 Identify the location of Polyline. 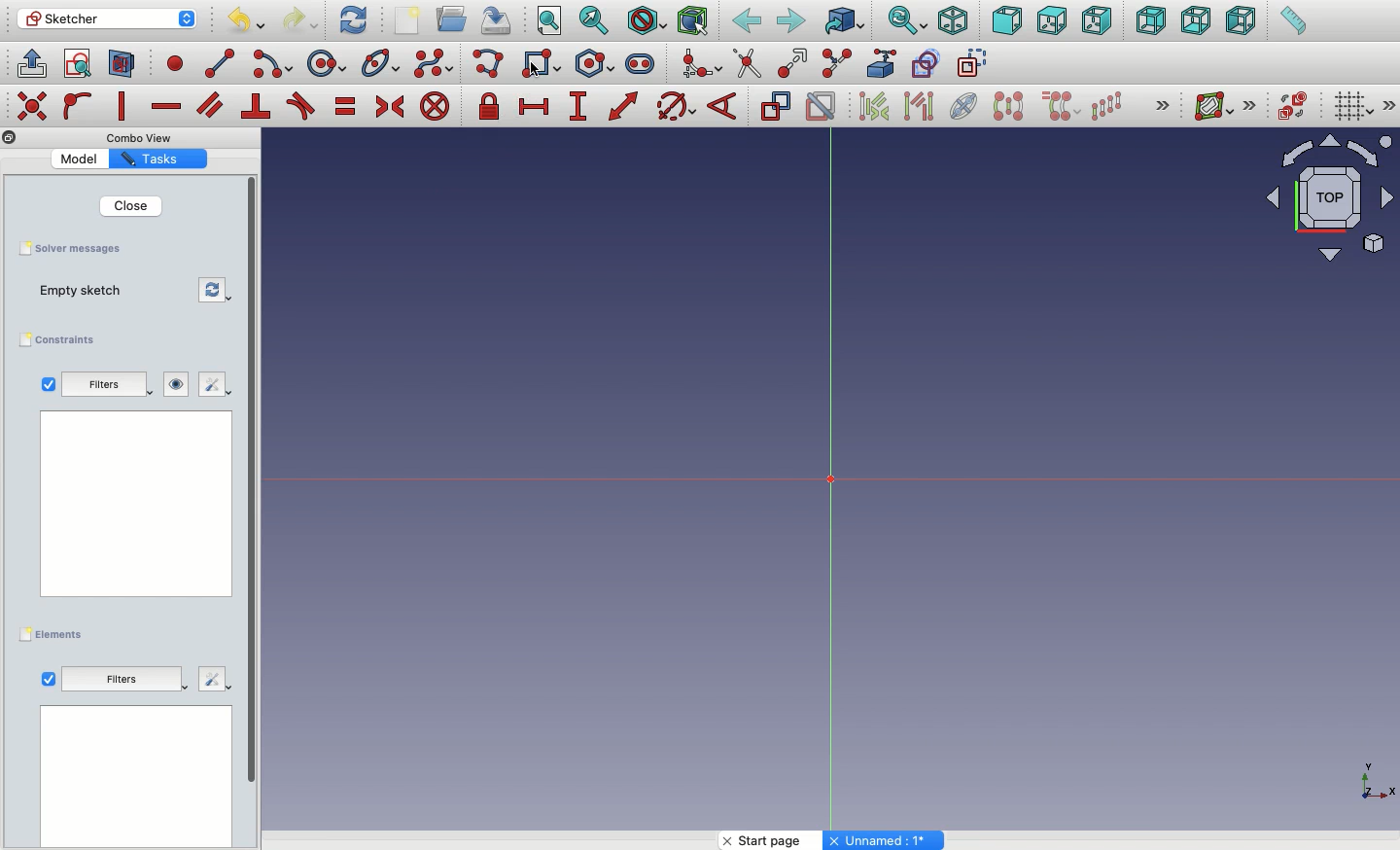
(492, 65).